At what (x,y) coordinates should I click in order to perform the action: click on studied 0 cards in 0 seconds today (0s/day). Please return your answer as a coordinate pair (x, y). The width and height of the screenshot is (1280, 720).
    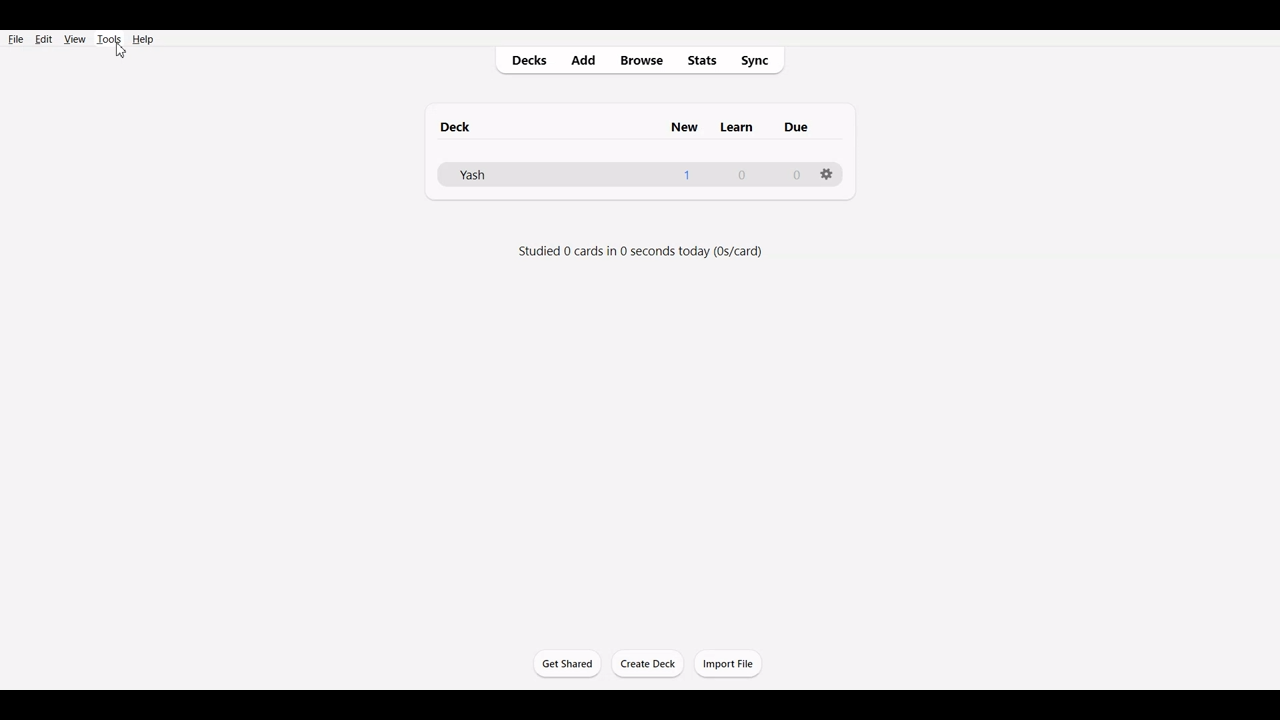
    Looking at the image, I should click on (641, 251).